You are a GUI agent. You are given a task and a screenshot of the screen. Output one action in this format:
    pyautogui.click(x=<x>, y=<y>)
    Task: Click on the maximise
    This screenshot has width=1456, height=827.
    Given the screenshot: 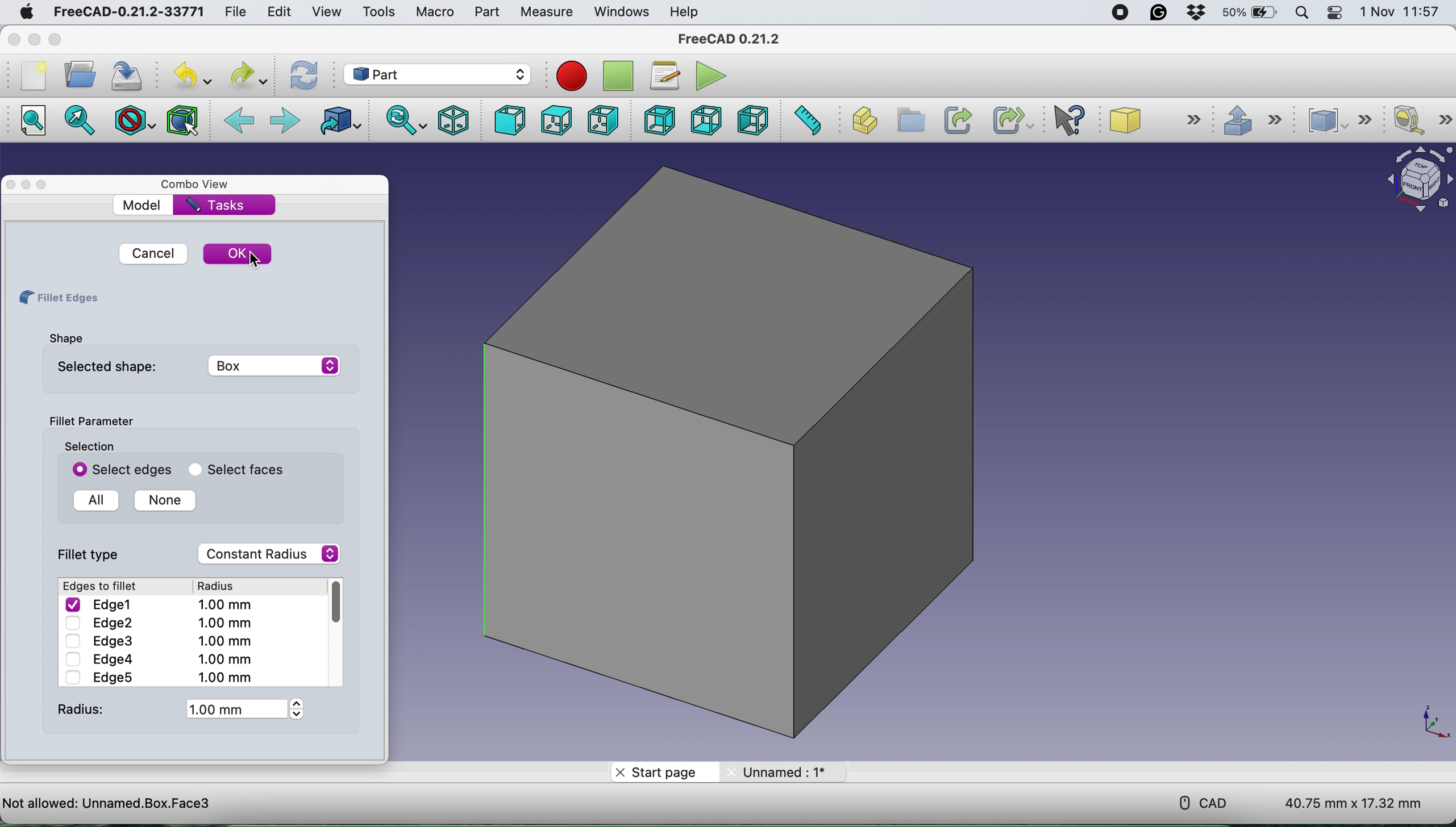 What is the action you would take?
    pyautogui.click(x=55, y=39)
    